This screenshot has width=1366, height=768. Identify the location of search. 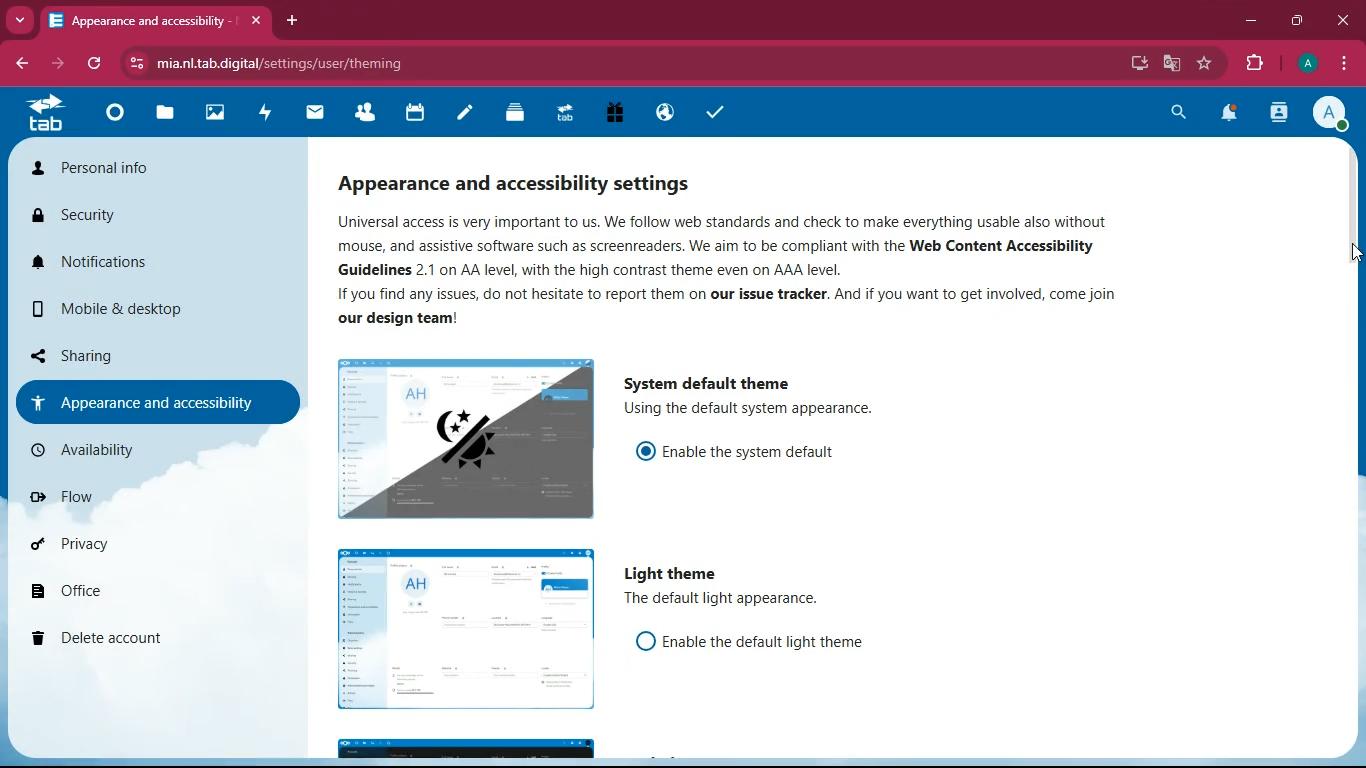
(1173, 114).